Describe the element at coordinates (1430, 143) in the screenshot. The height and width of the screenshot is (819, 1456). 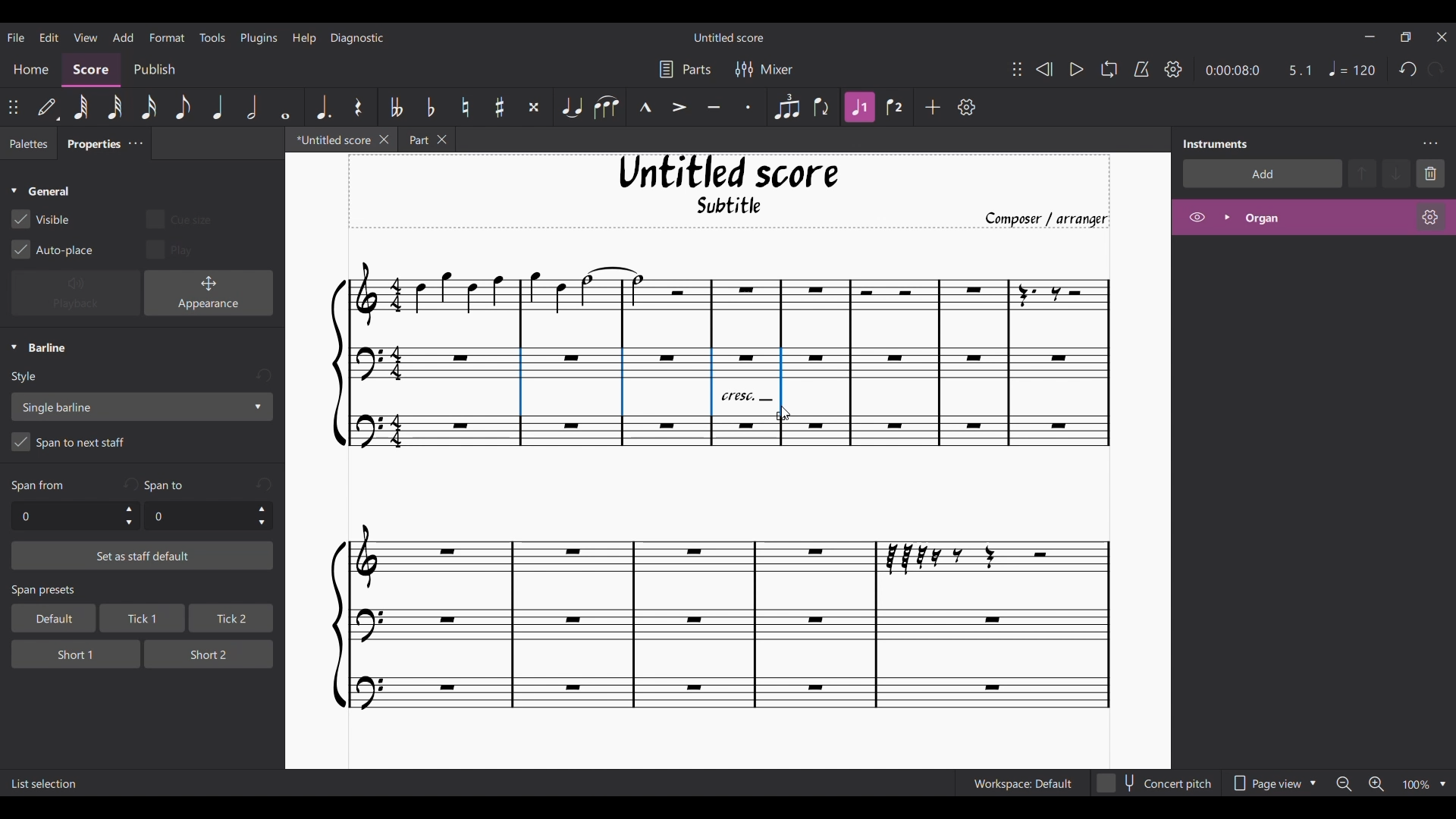
I see `Instruments panel settings` at that location.